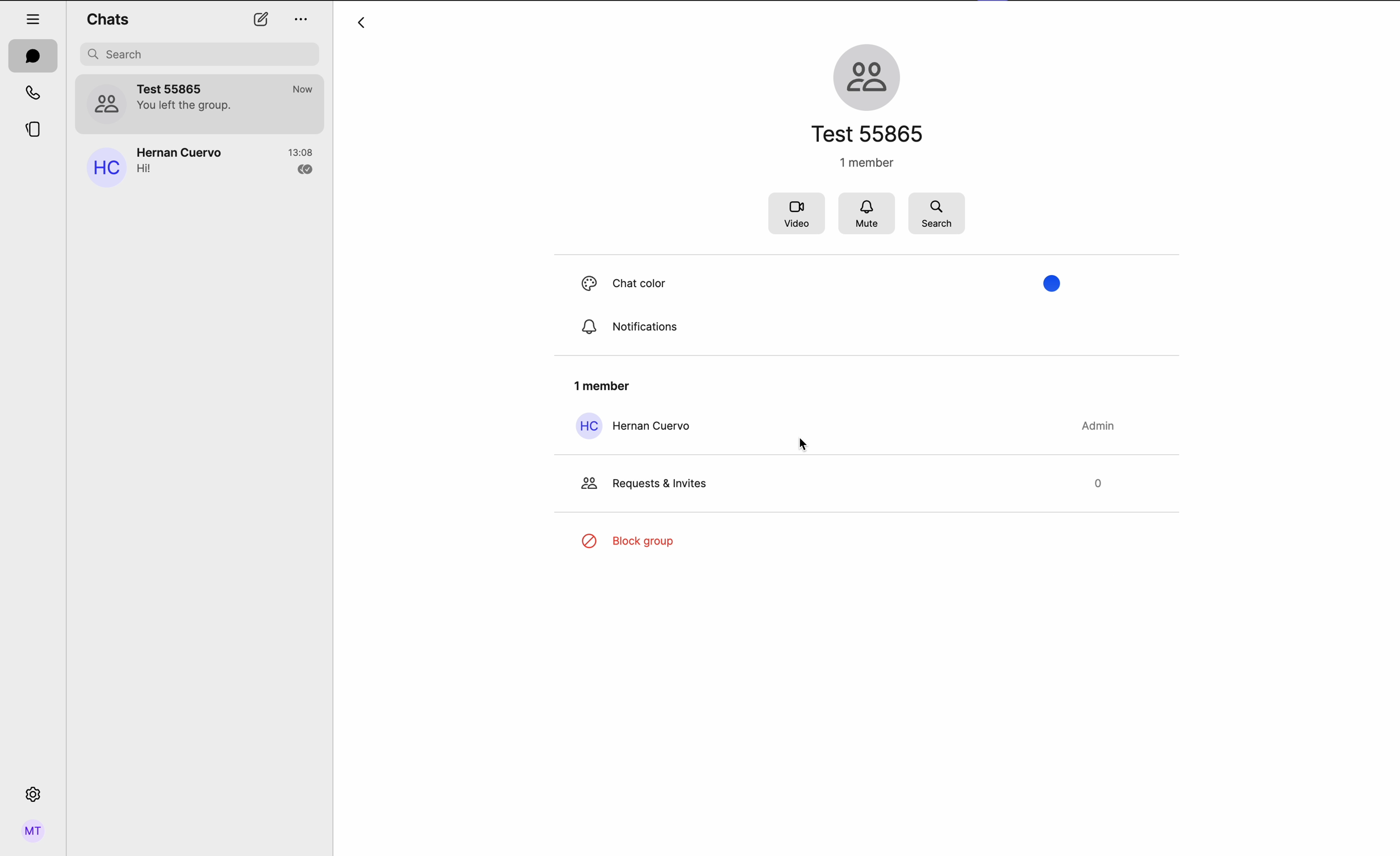 Image resolution: width=1400 pixels, height=856 pixels. Describe the element at coordinates (107, 18) in the screenshot. I see `chats` at that location.